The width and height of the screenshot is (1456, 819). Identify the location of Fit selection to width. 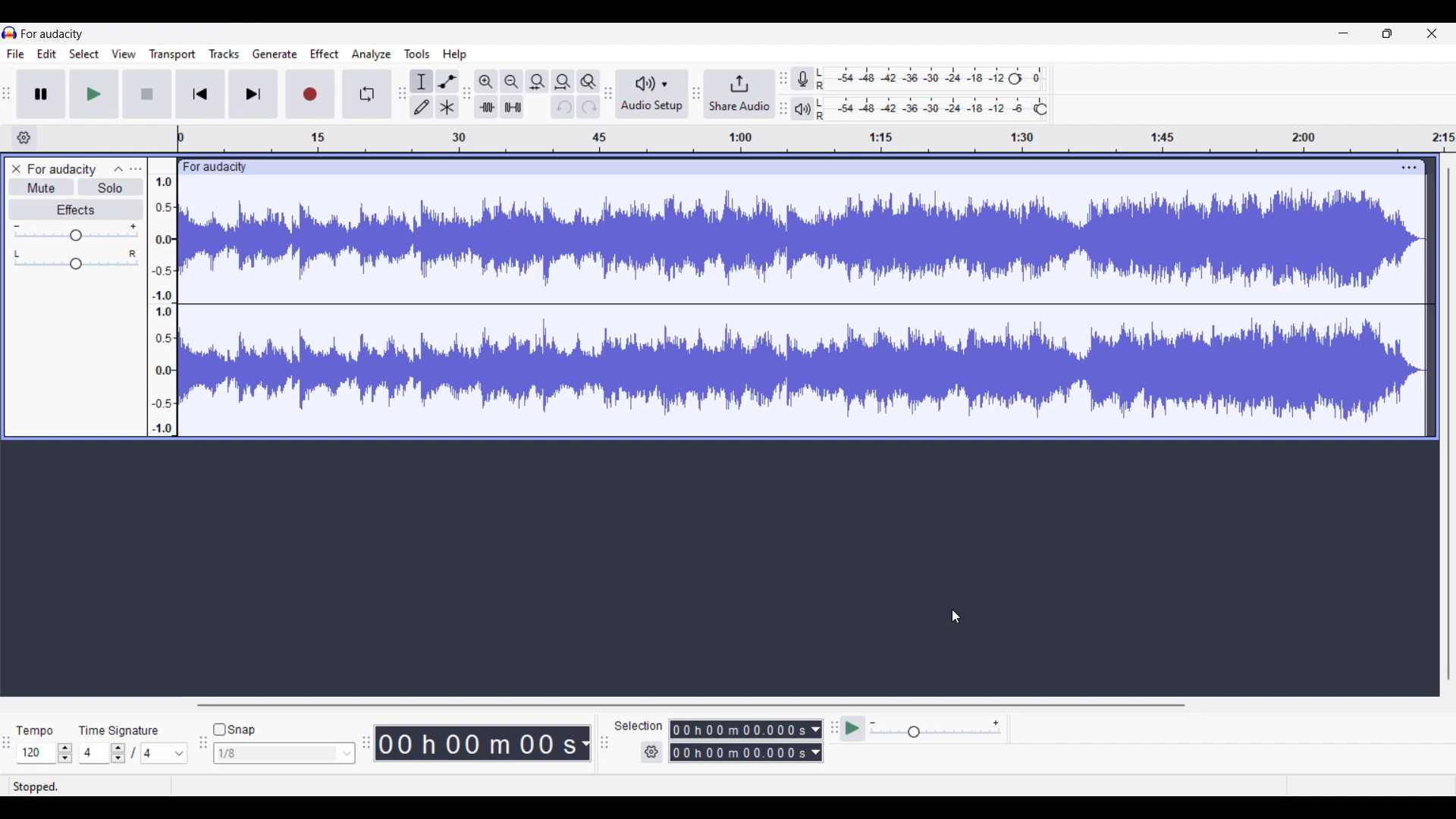
(537, 81).